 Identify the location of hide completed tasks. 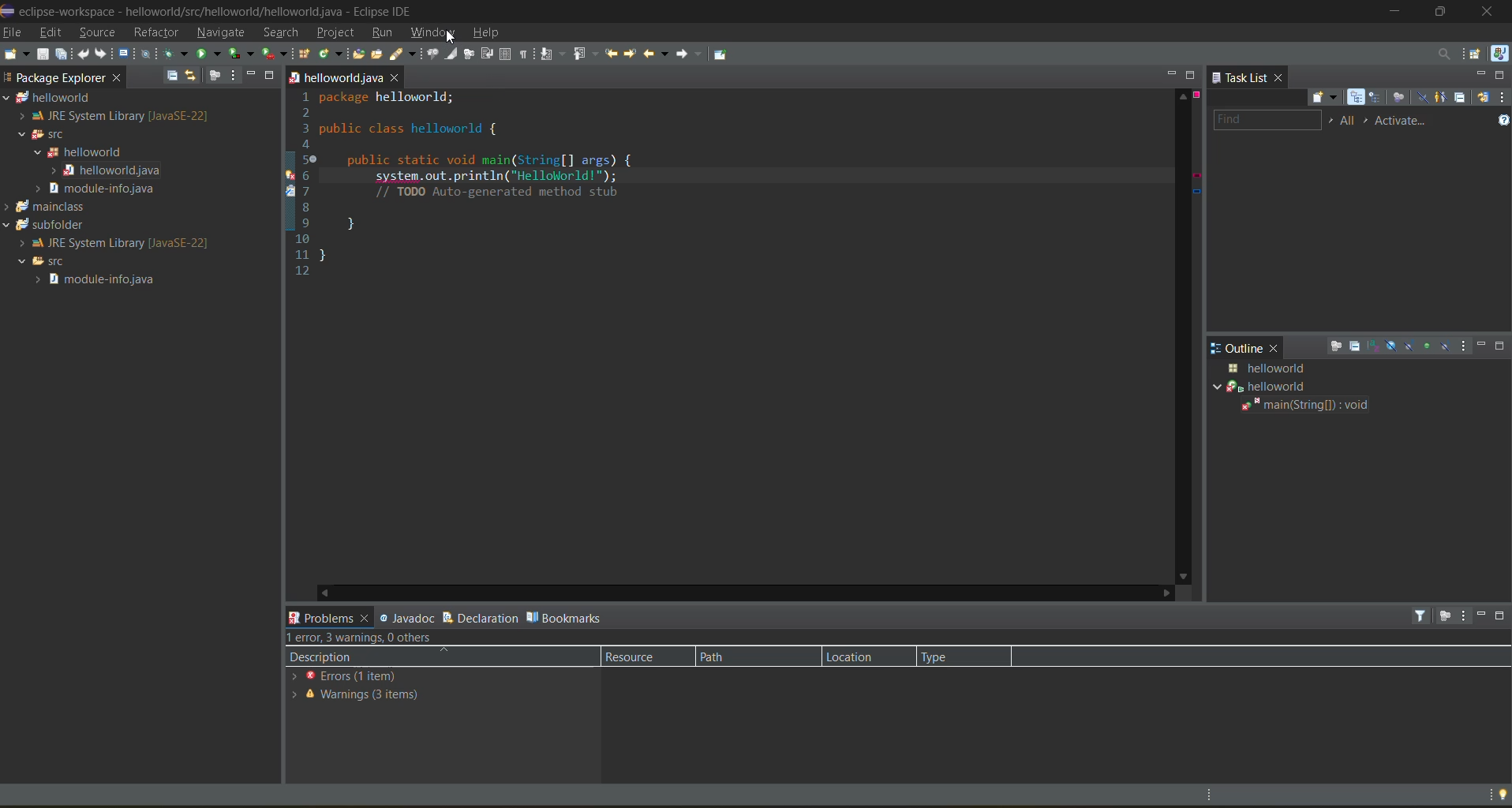
(1420, 96).